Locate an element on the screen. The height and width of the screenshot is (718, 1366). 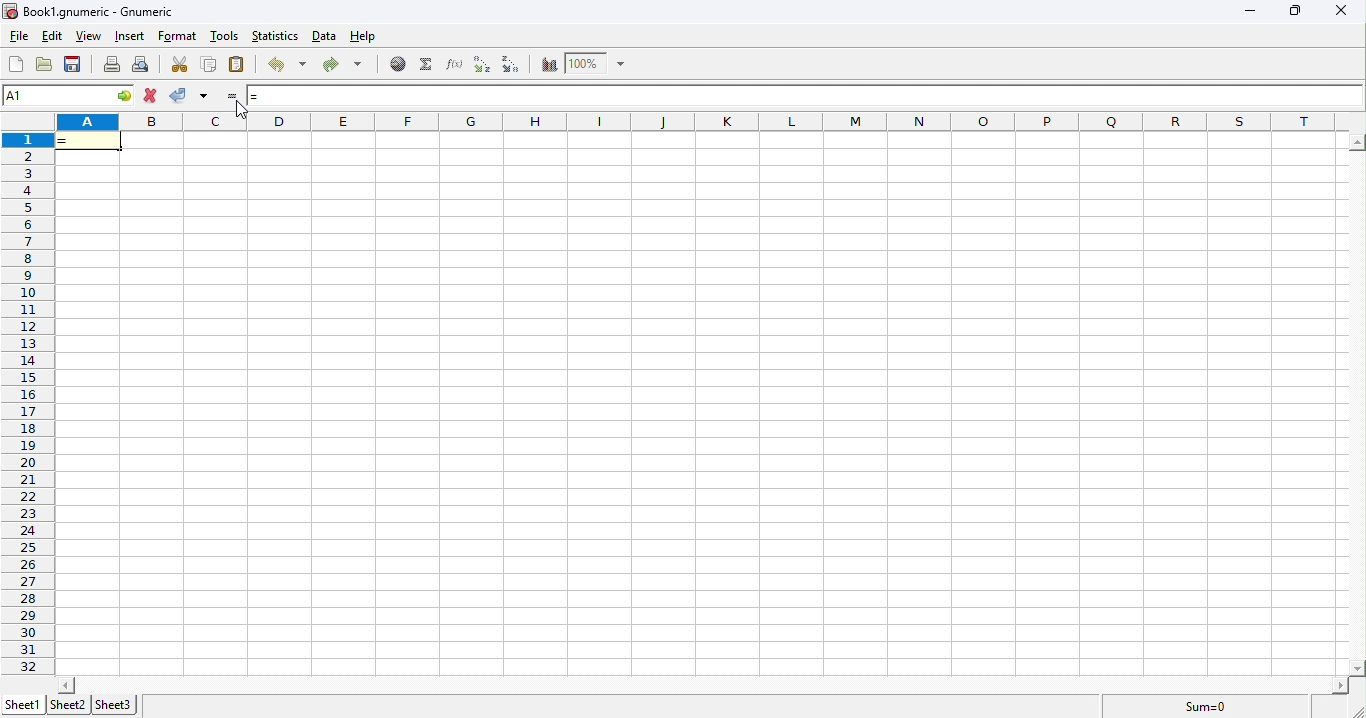
Cells is located at coordinates (693, 405).